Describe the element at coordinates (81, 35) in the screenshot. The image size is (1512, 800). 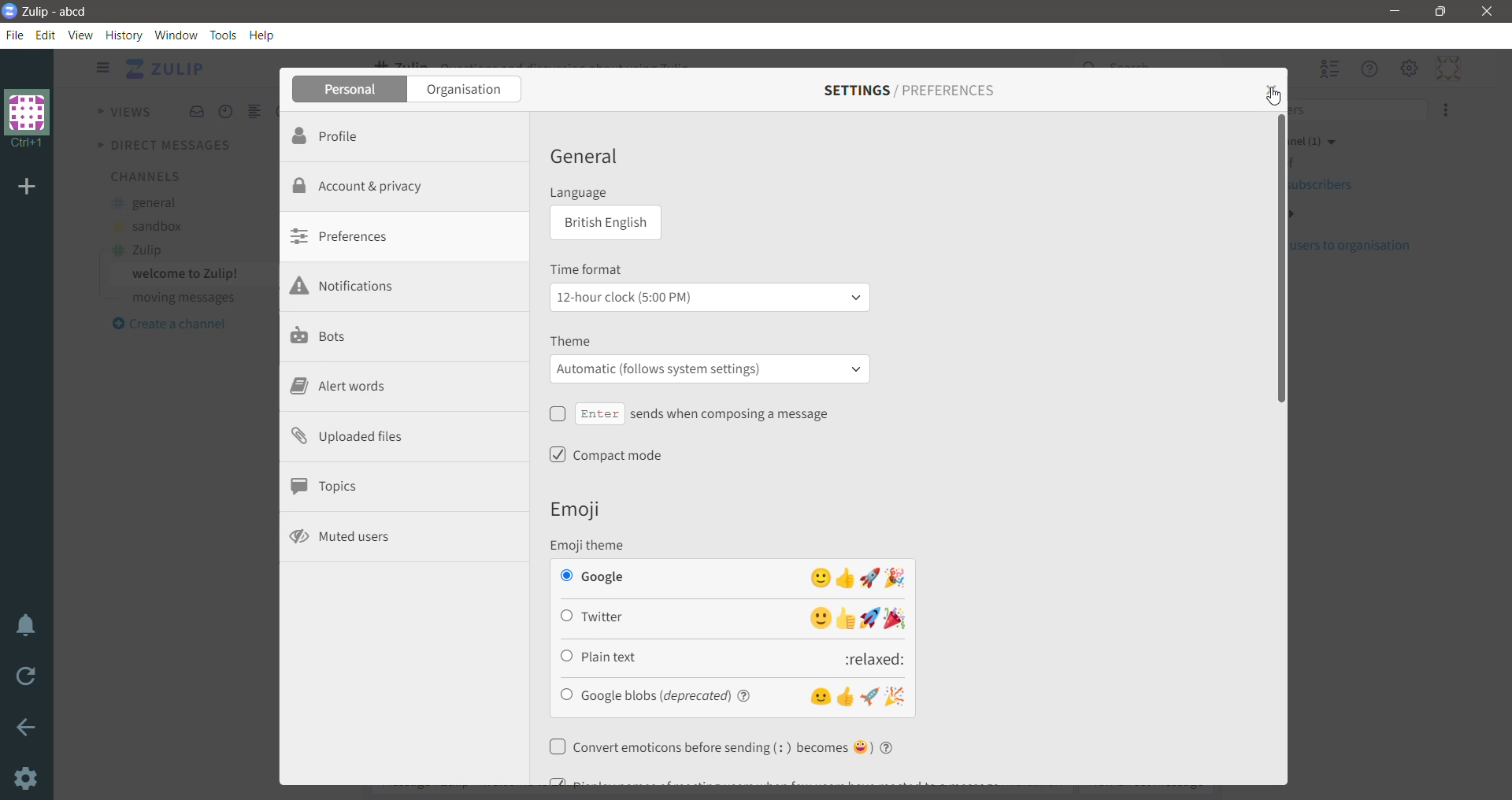
I see `View` at that location.